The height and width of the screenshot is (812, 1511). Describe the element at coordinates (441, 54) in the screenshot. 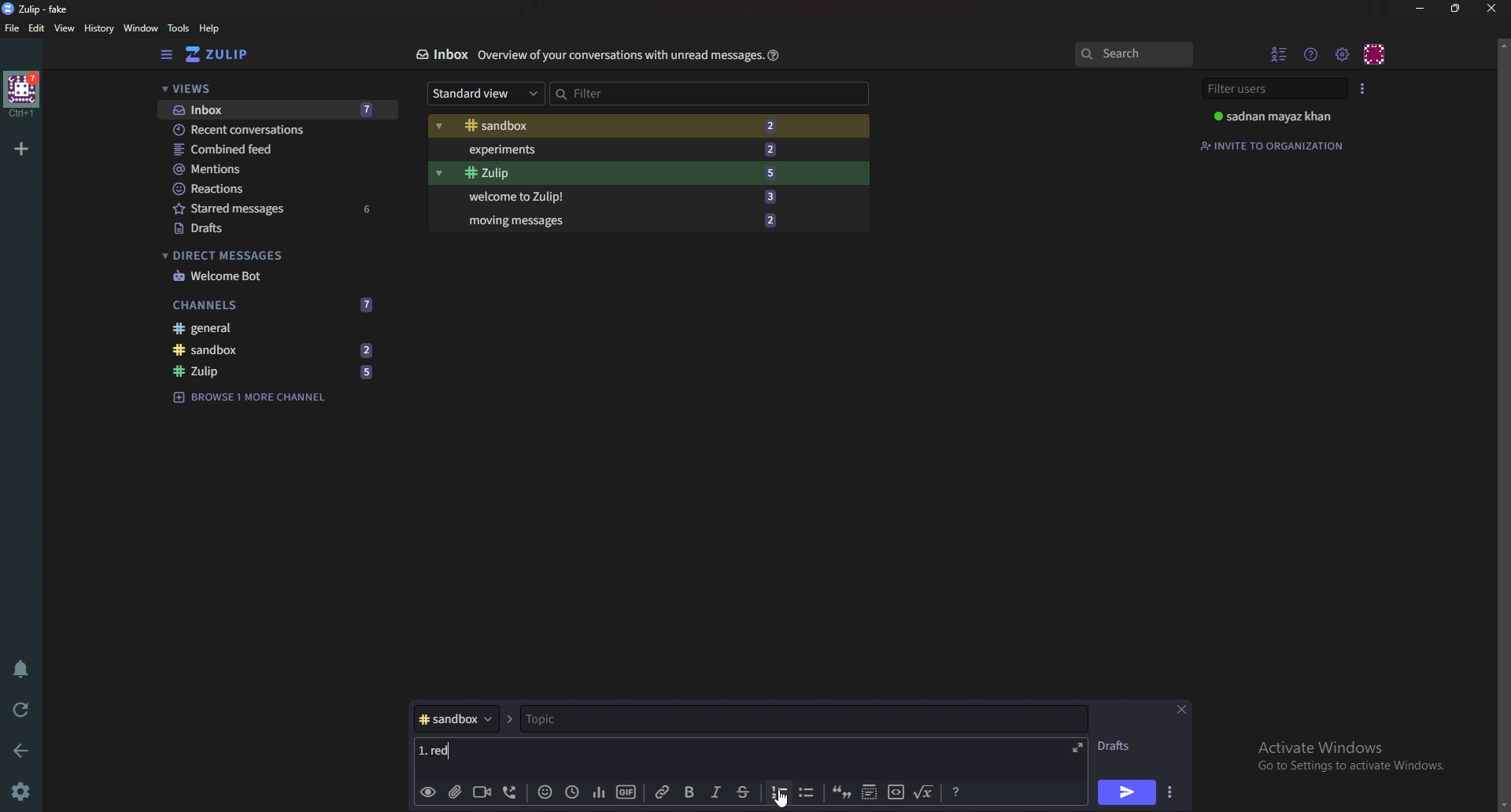

I see `Inbox` at that location.